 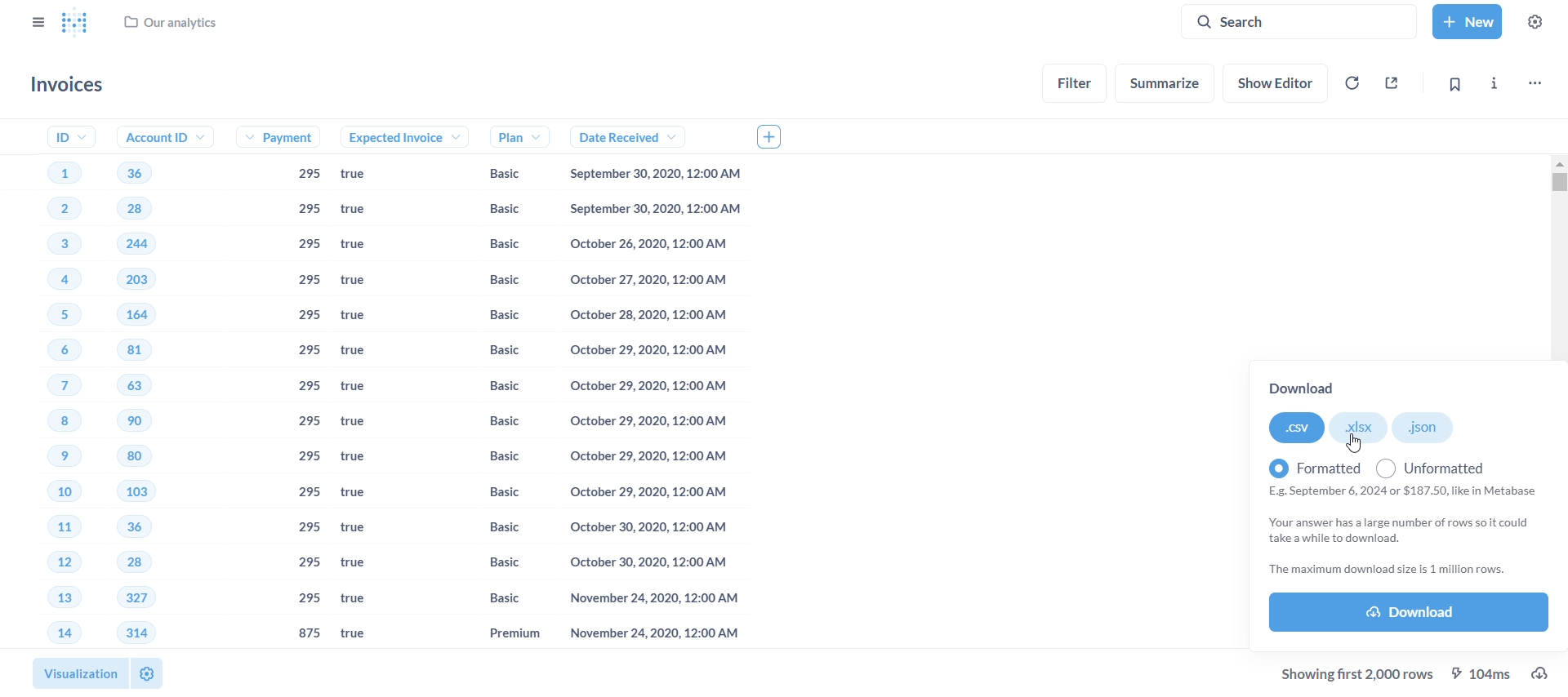 What do you see at coordinates (52, 633) in the screenshot?
I see `14` at bounding box center [52, 633].